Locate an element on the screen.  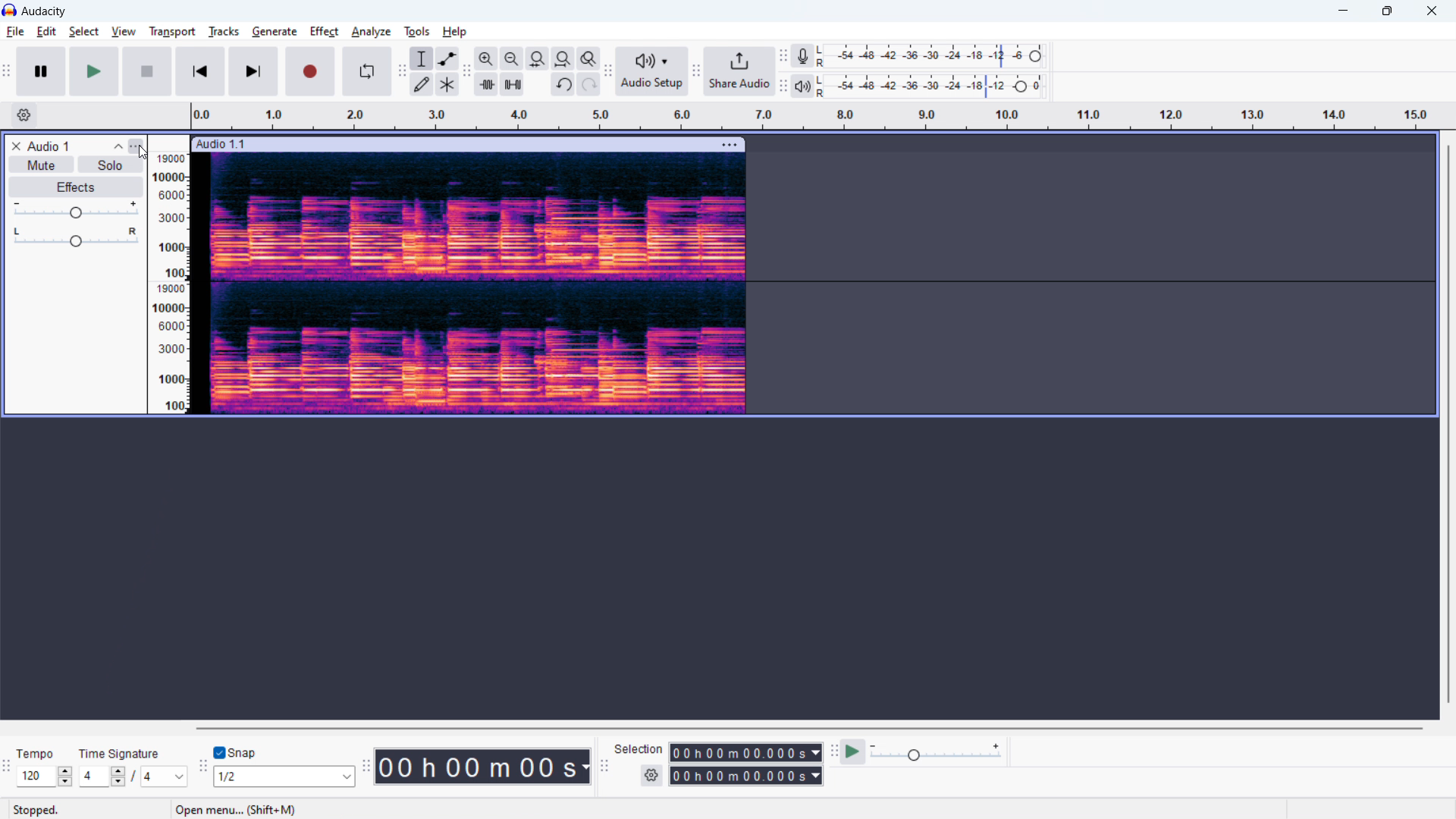
file is located at coordinates (15, 32).